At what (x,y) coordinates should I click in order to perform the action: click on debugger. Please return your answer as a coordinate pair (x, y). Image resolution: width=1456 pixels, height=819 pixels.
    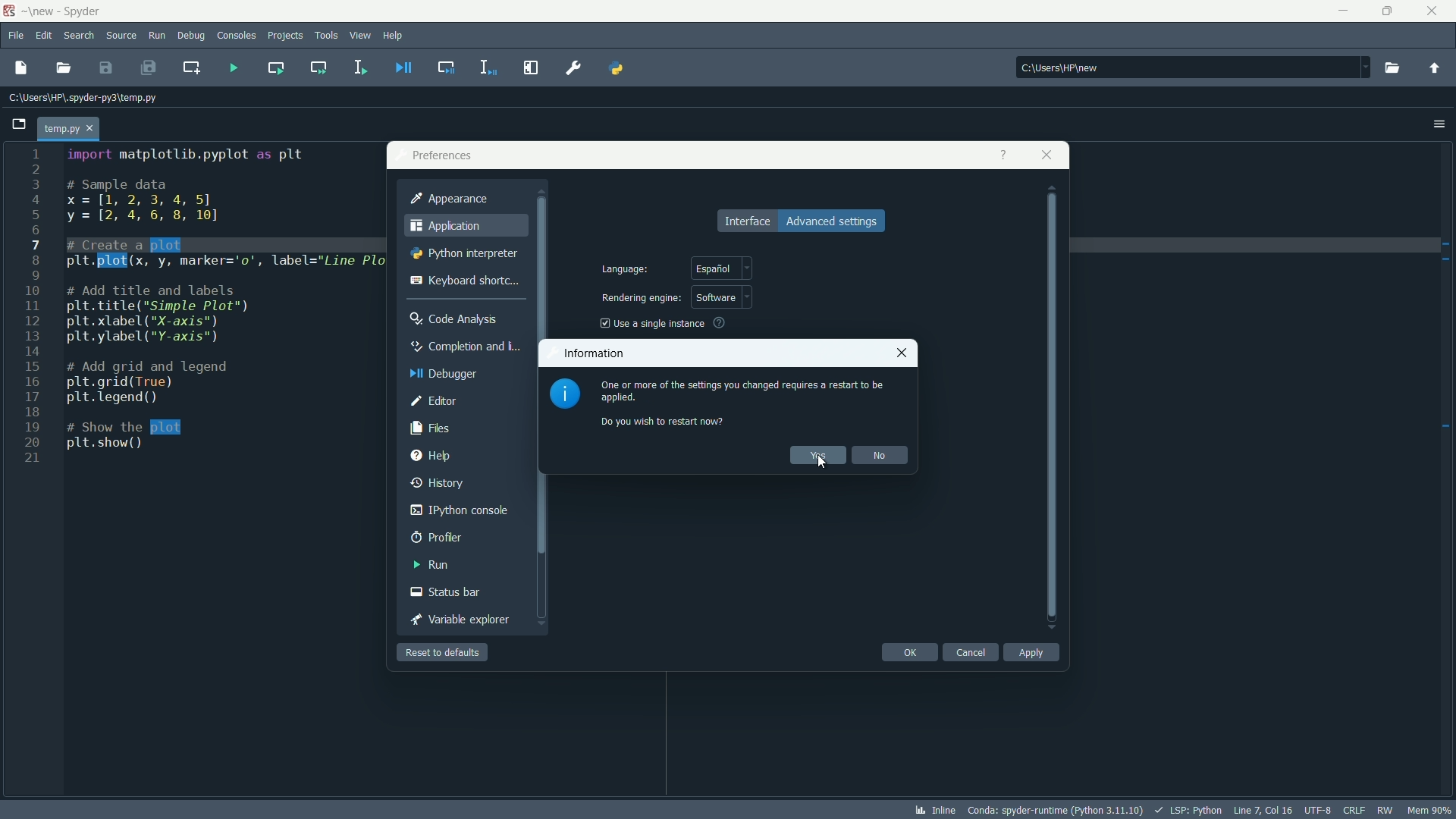
    Looking at the image, I should click on (443, 374).